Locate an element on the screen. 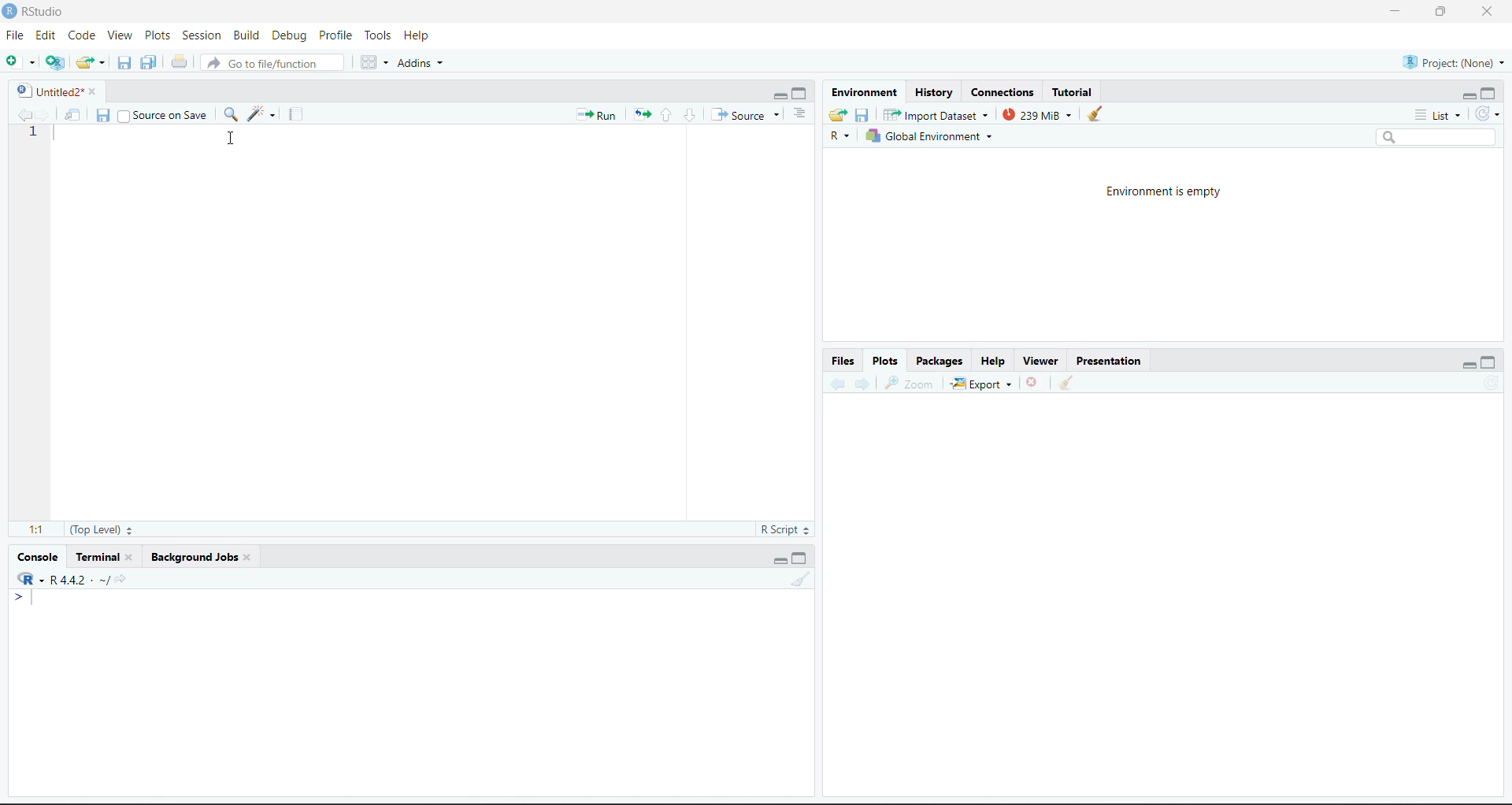 The height and width of the screenshot is (805, 1512). R is located at coordinates (839, 139).